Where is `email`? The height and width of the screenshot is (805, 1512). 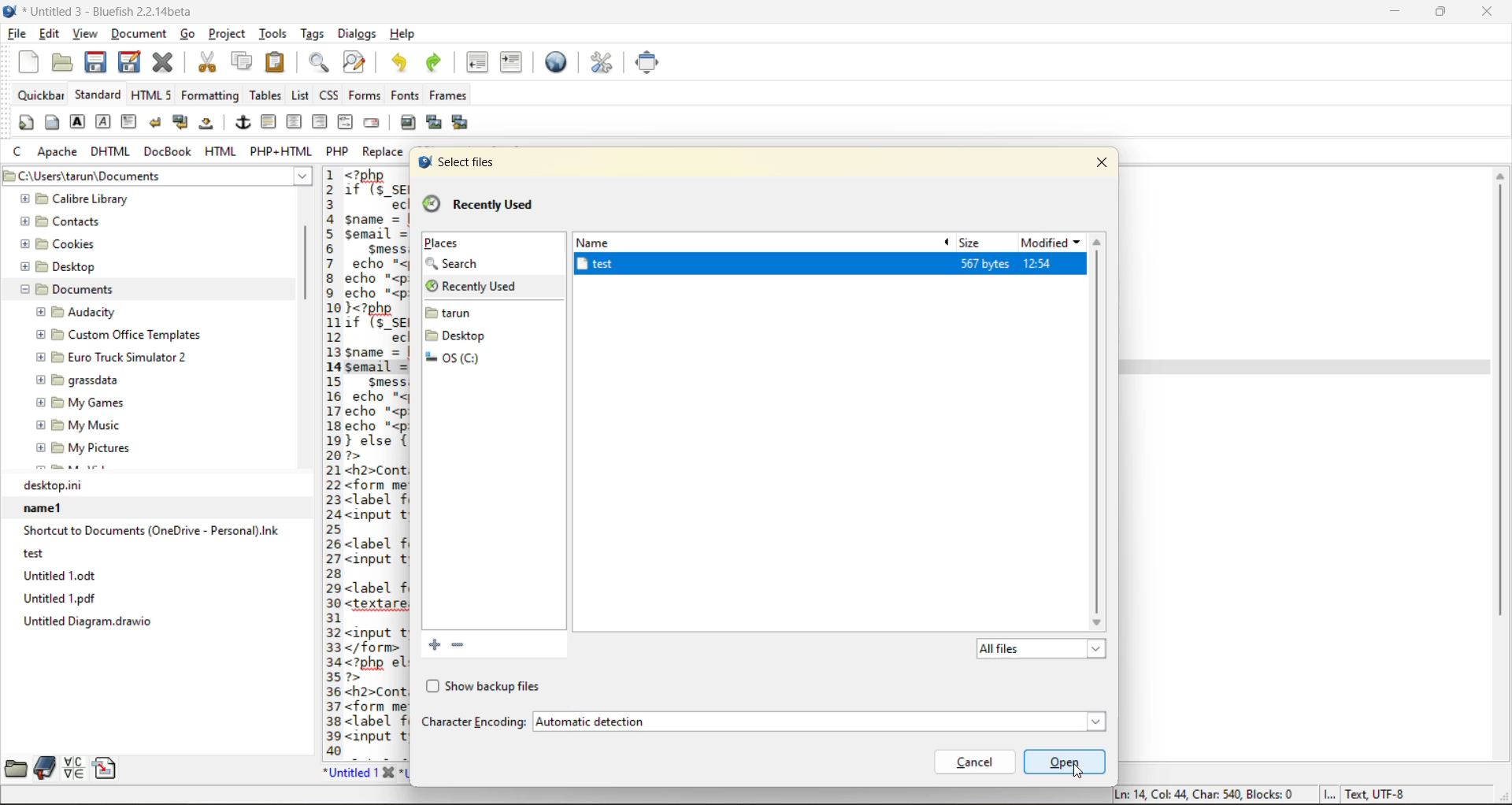
email is located at coordinates (374, 122).